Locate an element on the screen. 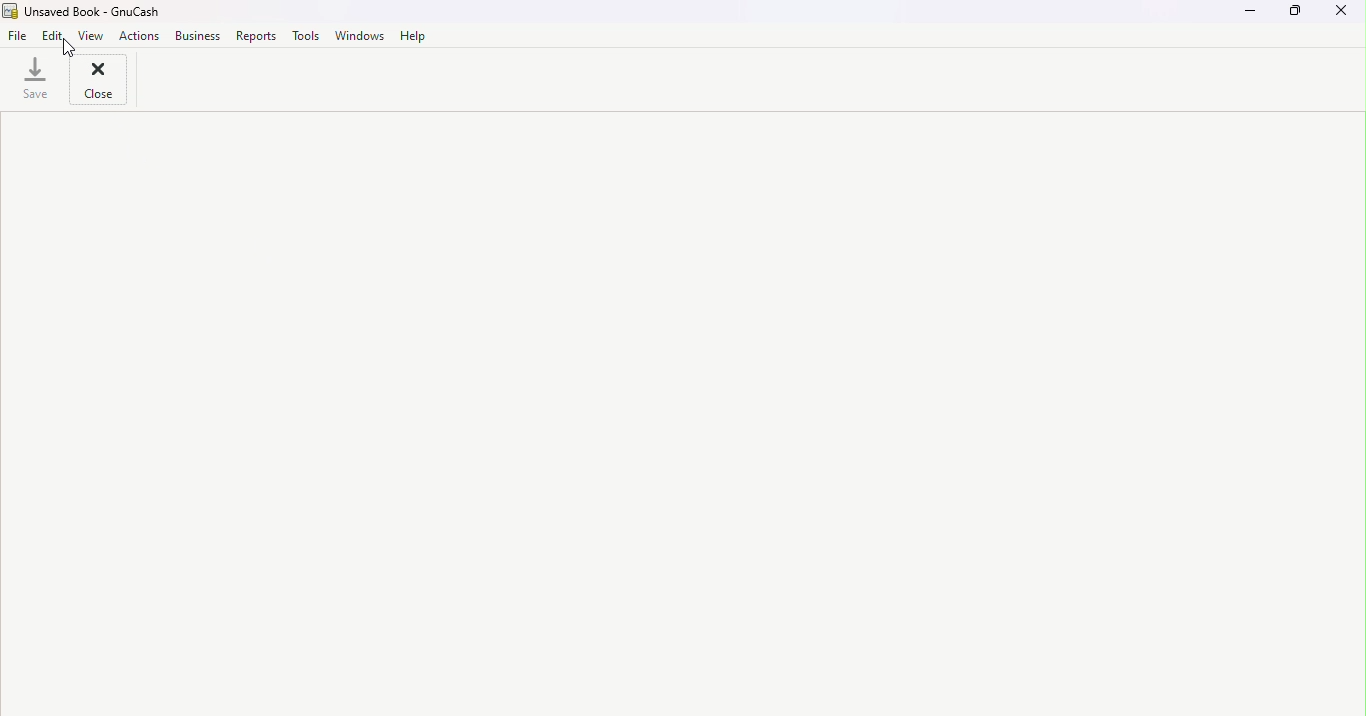  Actions is located at coordinates (140, 35).